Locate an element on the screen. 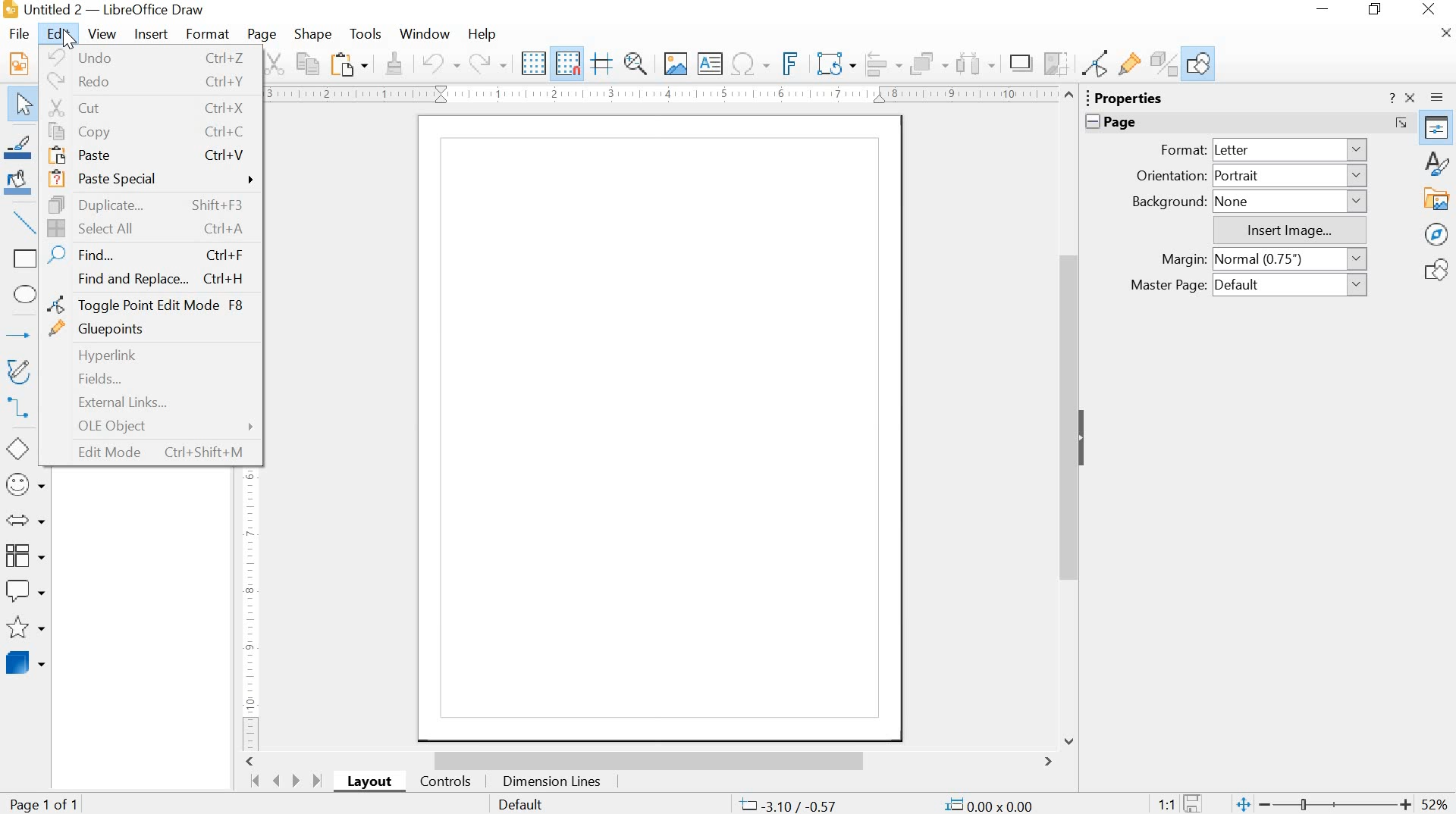 The image size is (1456, 814). copy is located at coordinates (152, 131).